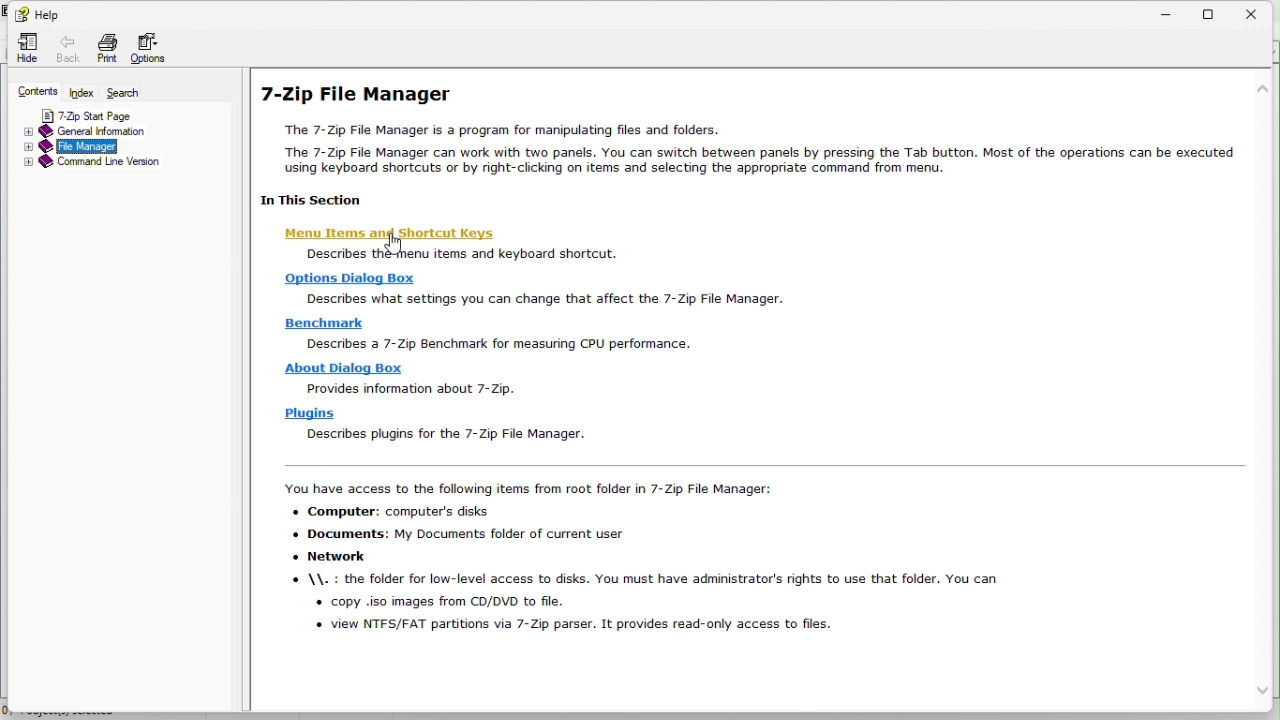 This screenshot has width=1280, height=720. Describe the element at coordinates (467, 255) in the screenshot. I see `describes the menu items and keyboard shortcuts` at that location.